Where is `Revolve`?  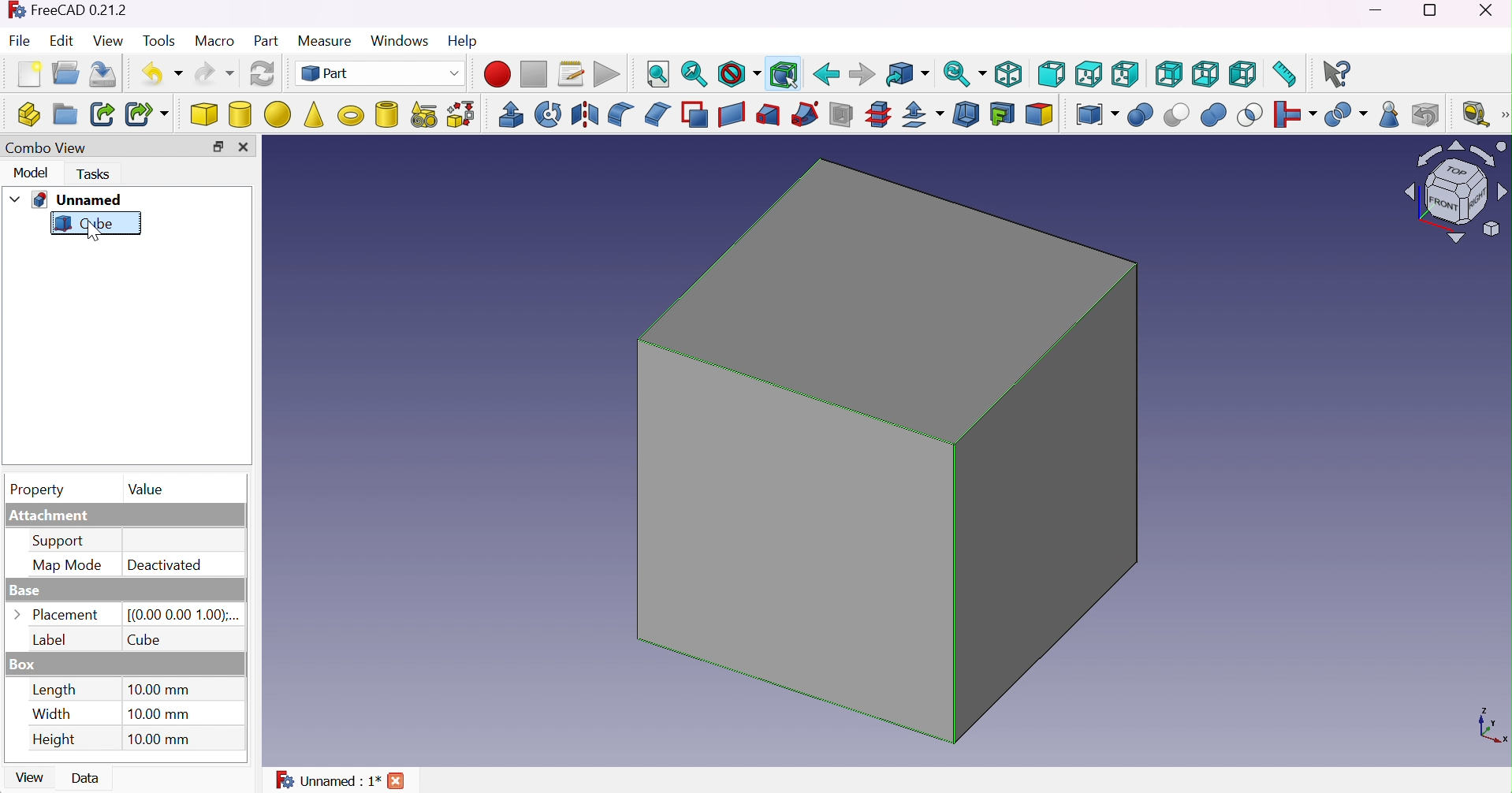
Revolve is located at coordinates (549, 114).